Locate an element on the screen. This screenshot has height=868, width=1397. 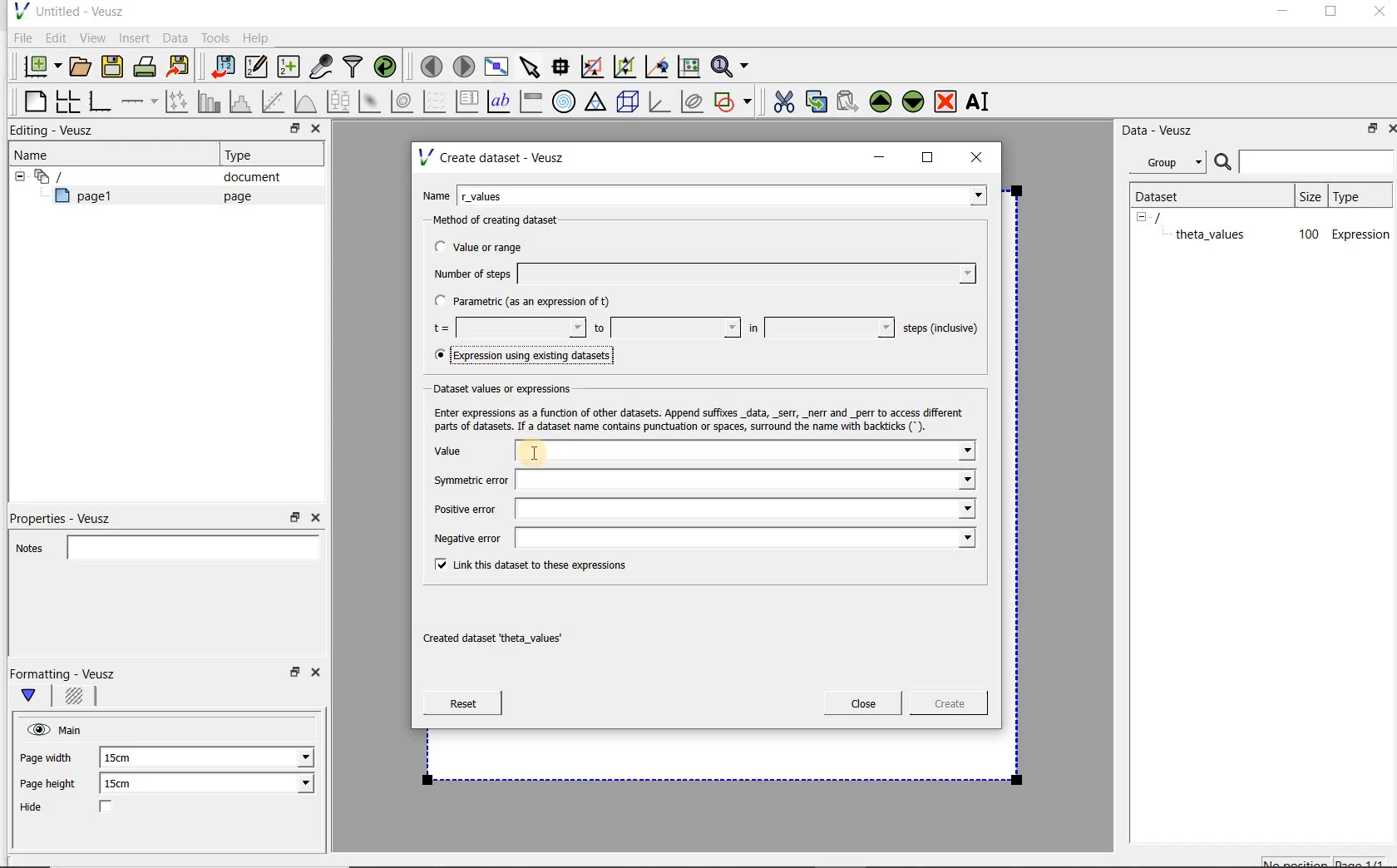
theta_values is located at coordinates (1212, 234).